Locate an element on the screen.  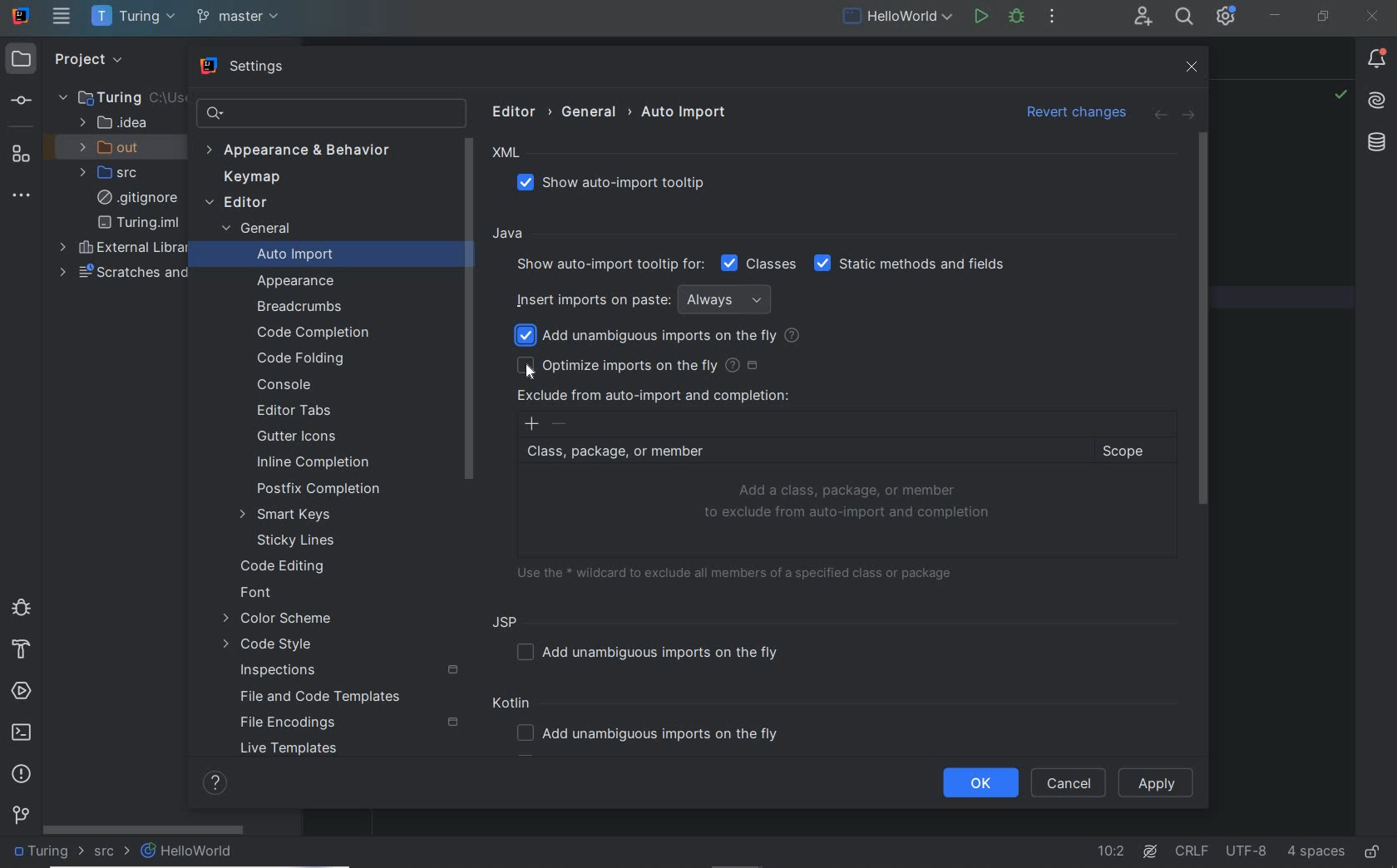
RECENT SEARCH is located at coordinates (329, 113).